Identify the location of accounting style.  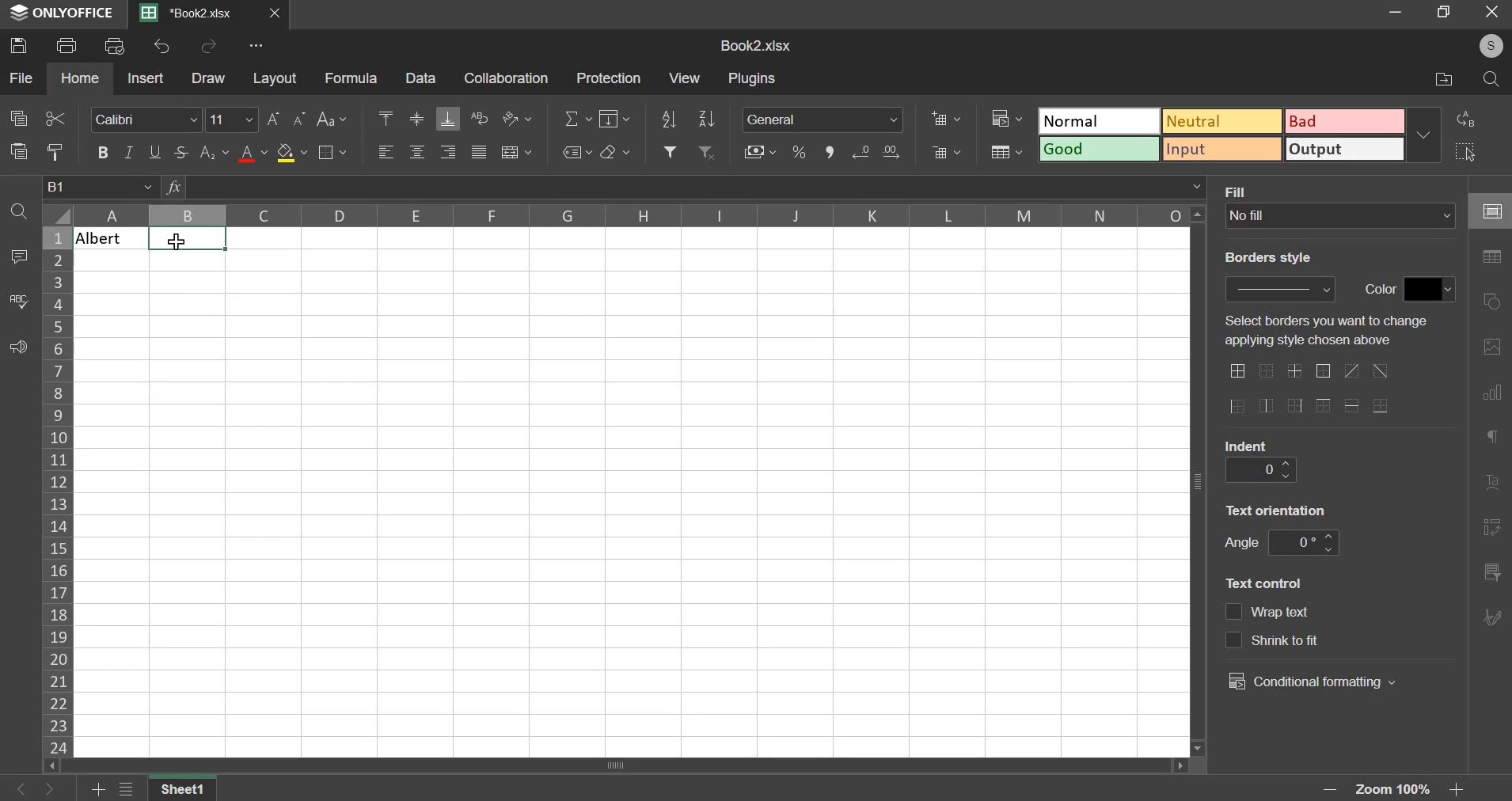
(759, 150).